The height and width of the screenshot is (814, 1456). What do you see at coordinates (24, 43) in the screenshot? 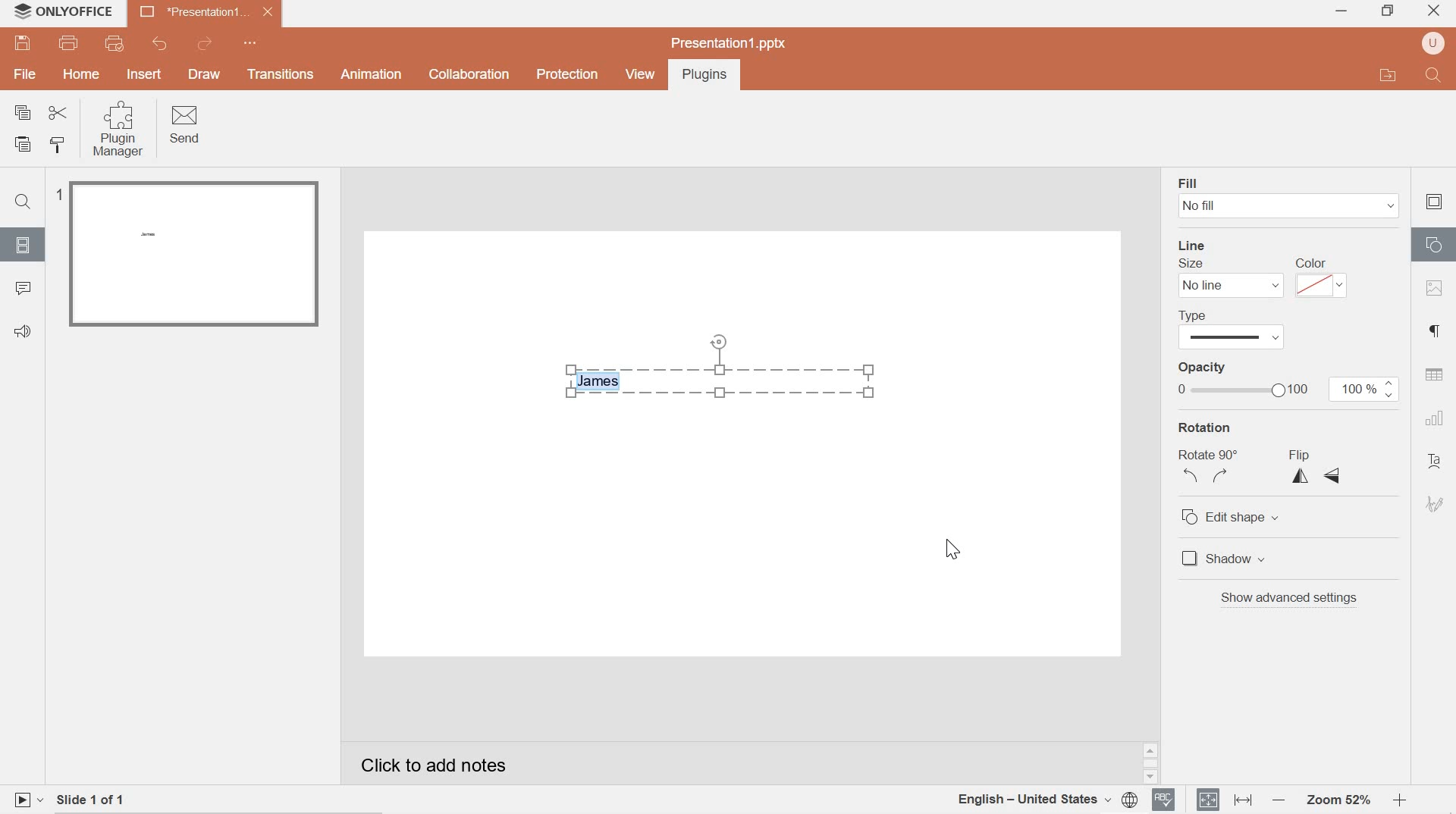
I see `save` at bounding box center [24, 43].